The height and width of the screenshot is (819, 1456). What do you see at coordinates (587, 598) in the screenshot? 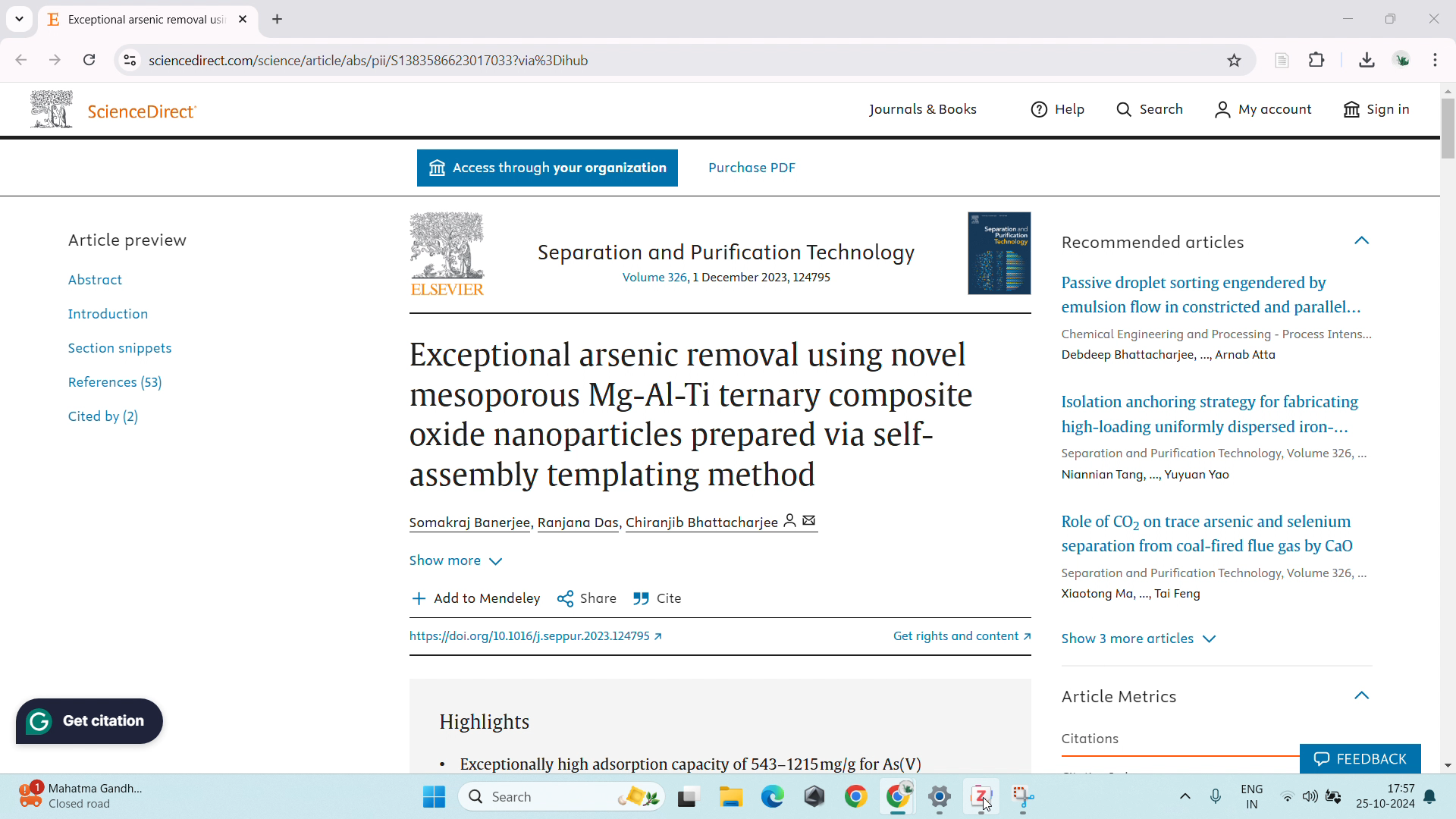
I see `Share` at bounding box center [587, 598].